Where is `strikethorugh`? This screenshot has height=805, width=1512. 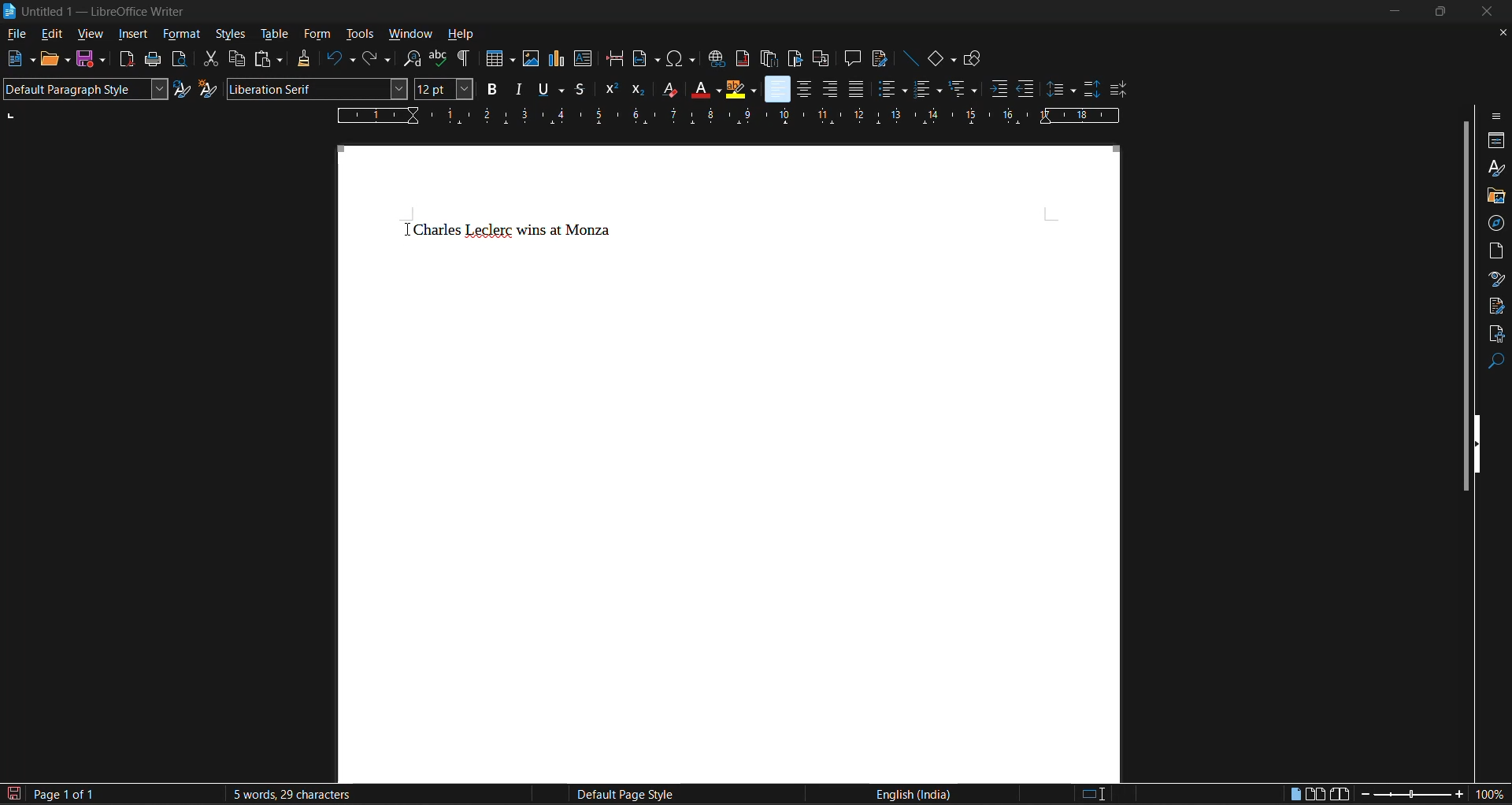
strikethorugh is located at coordinates (580, 90).